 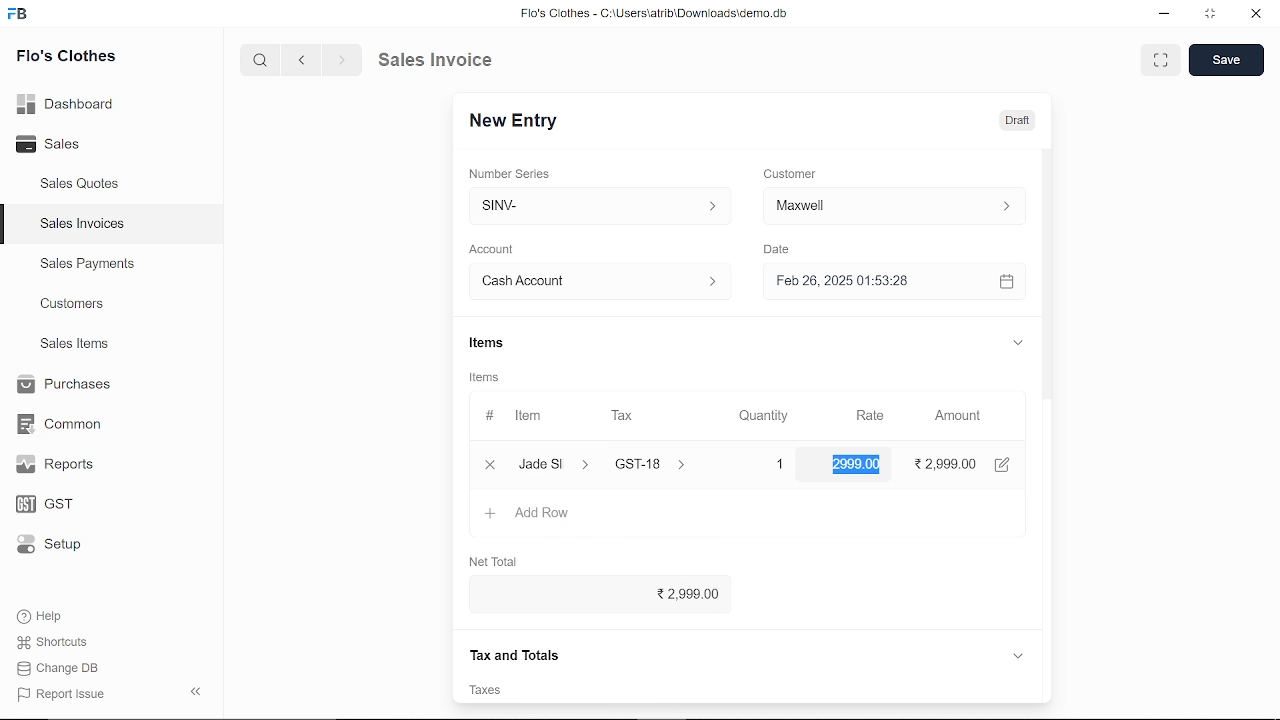 I want to click on Change DB, so click(x=64, y=668).